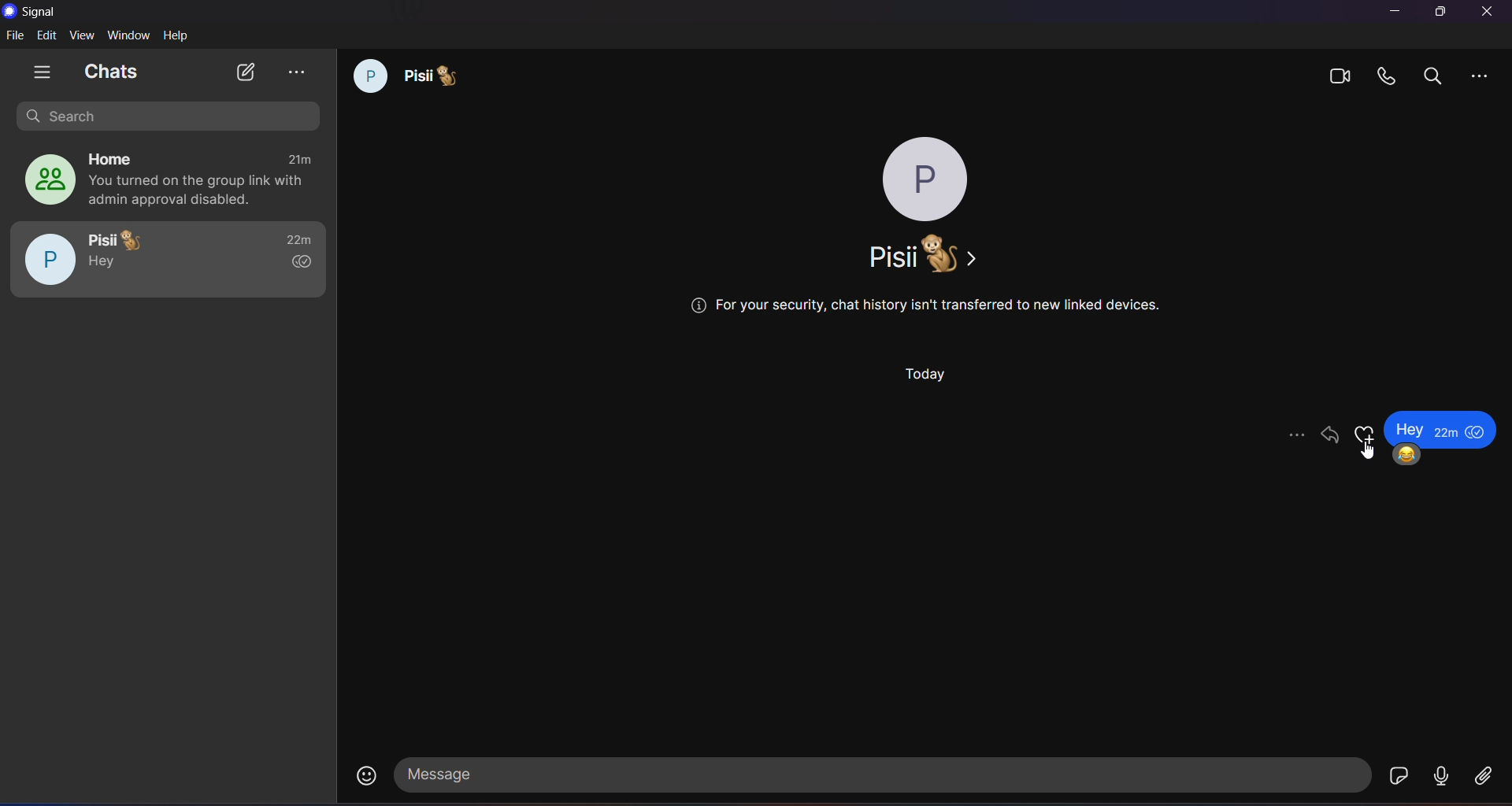 Image resolution: width=1512 pixels, height=806 pixels. Describe the element at coordinates (1369, 450) in the screenshot. I see `Cursor` at that location.